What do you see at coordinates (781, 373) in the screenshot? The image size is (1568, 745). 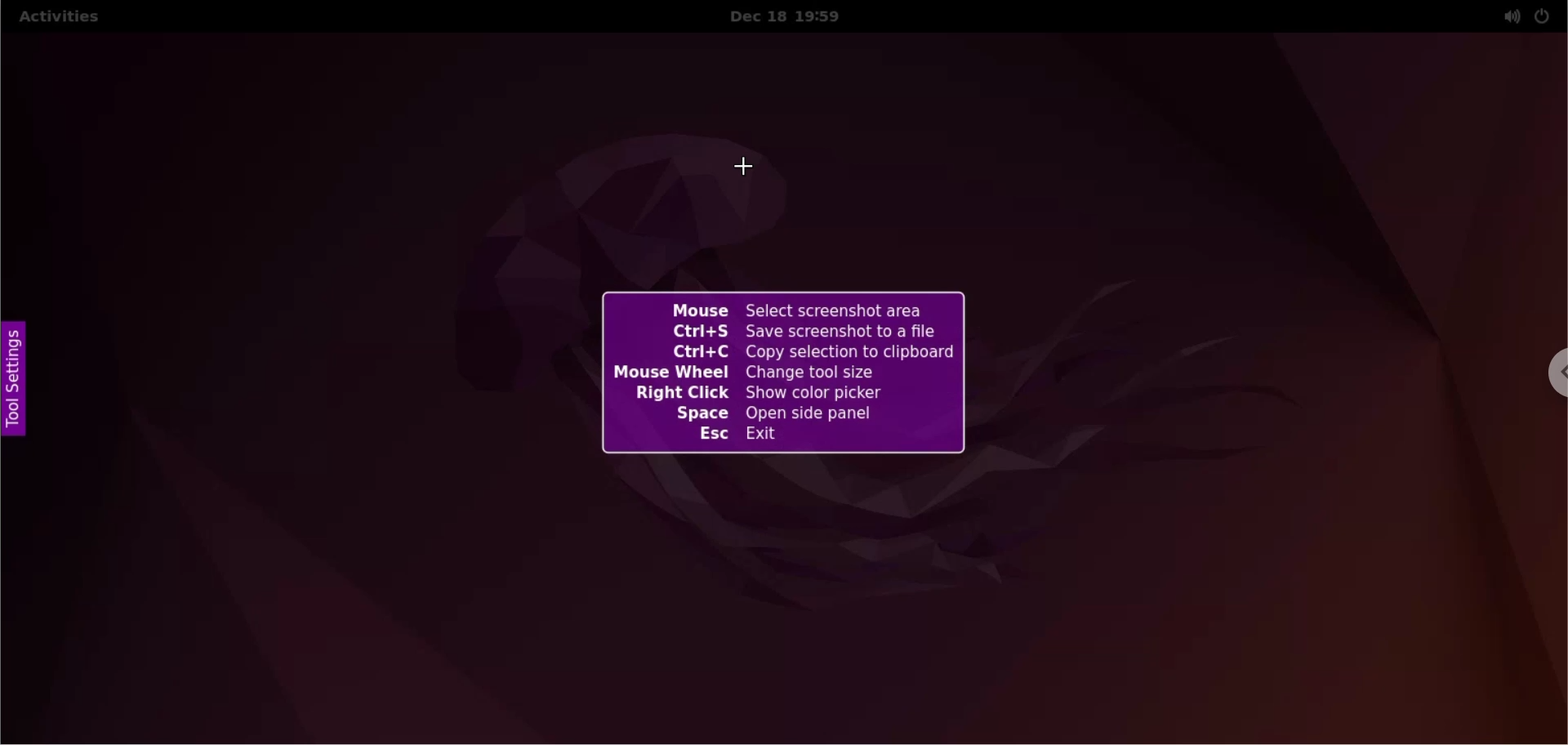 I see `flameshot shortcuts` at bounding box center [781, 373].